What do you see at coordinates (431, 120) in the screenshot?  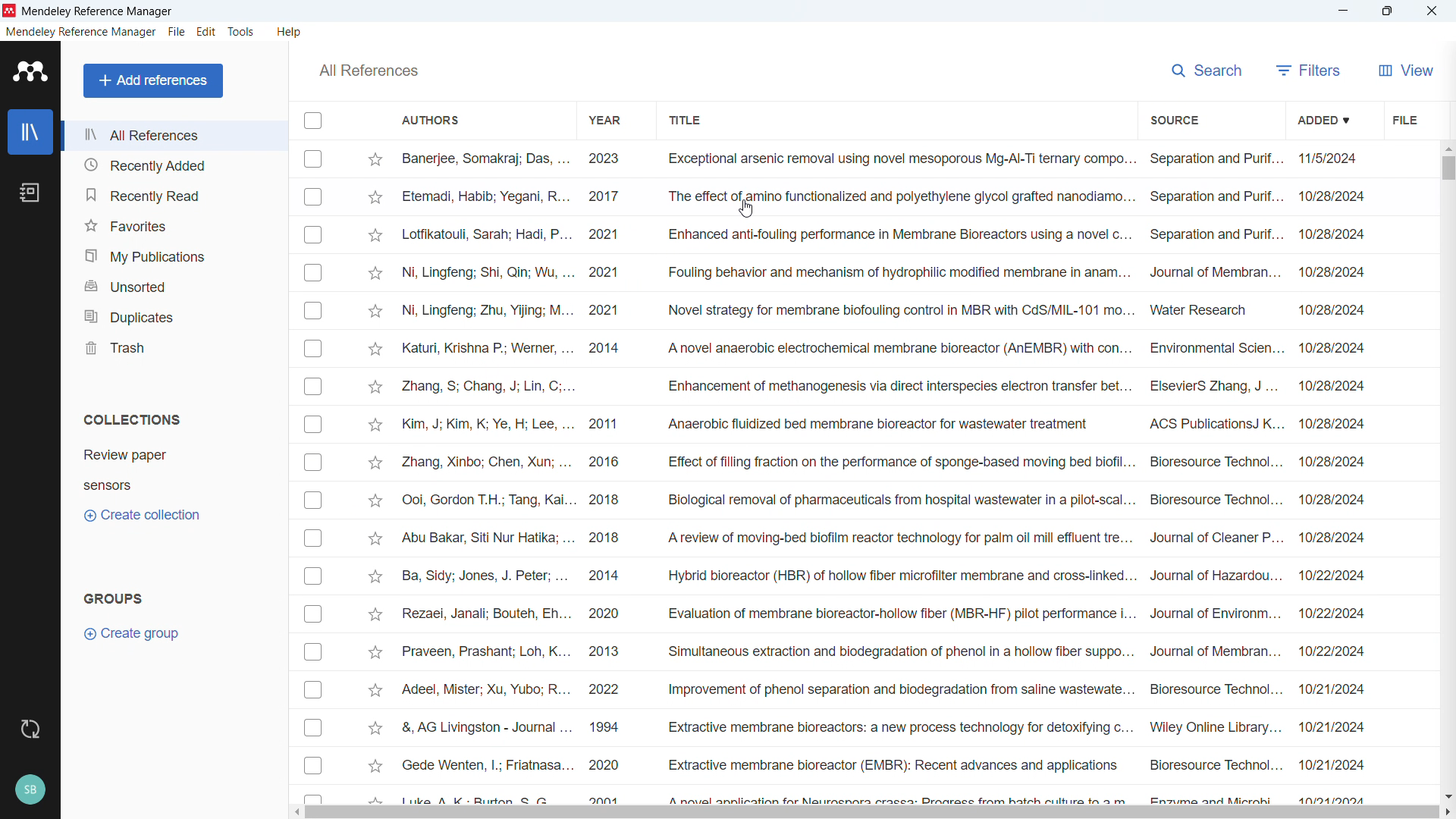 I see `Sort by authors ` at bounding box center [431, 120].